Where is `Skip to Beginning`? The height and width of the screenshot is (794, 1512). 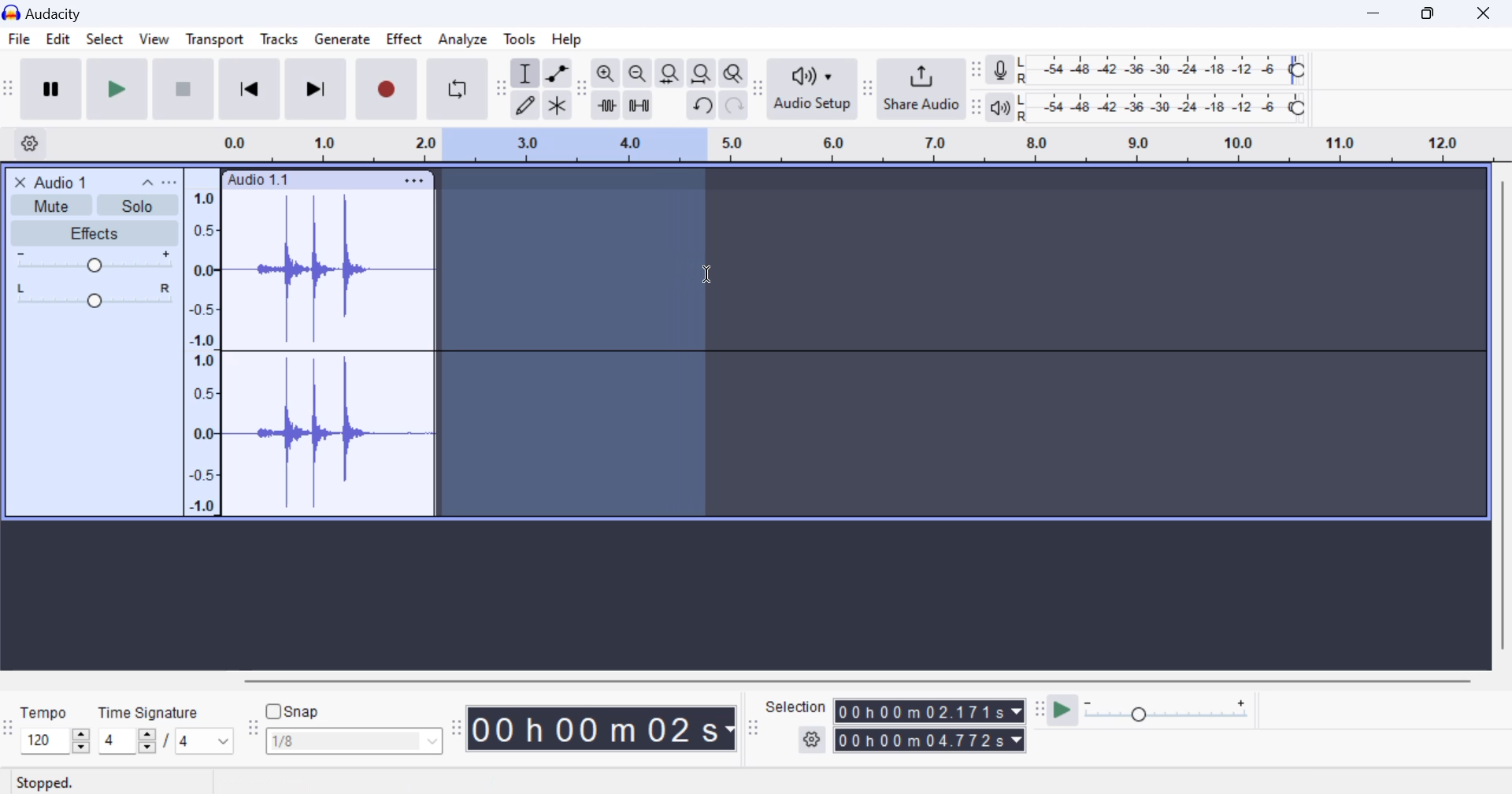
Skip to Beginning is located at coordinates (249, 90).